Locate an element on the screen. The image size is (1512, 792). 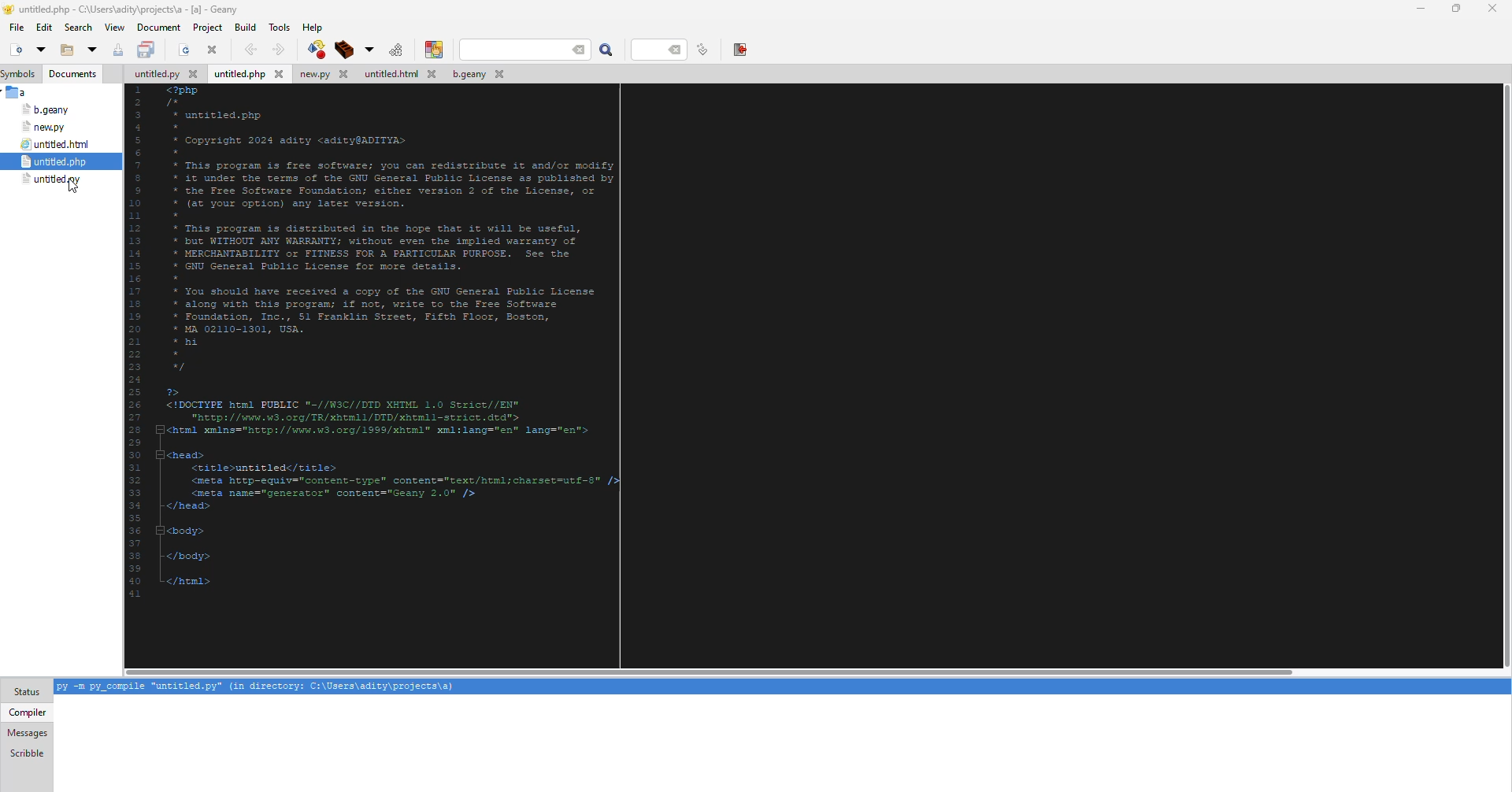
b.geansy is located at coordinates (482, 73).